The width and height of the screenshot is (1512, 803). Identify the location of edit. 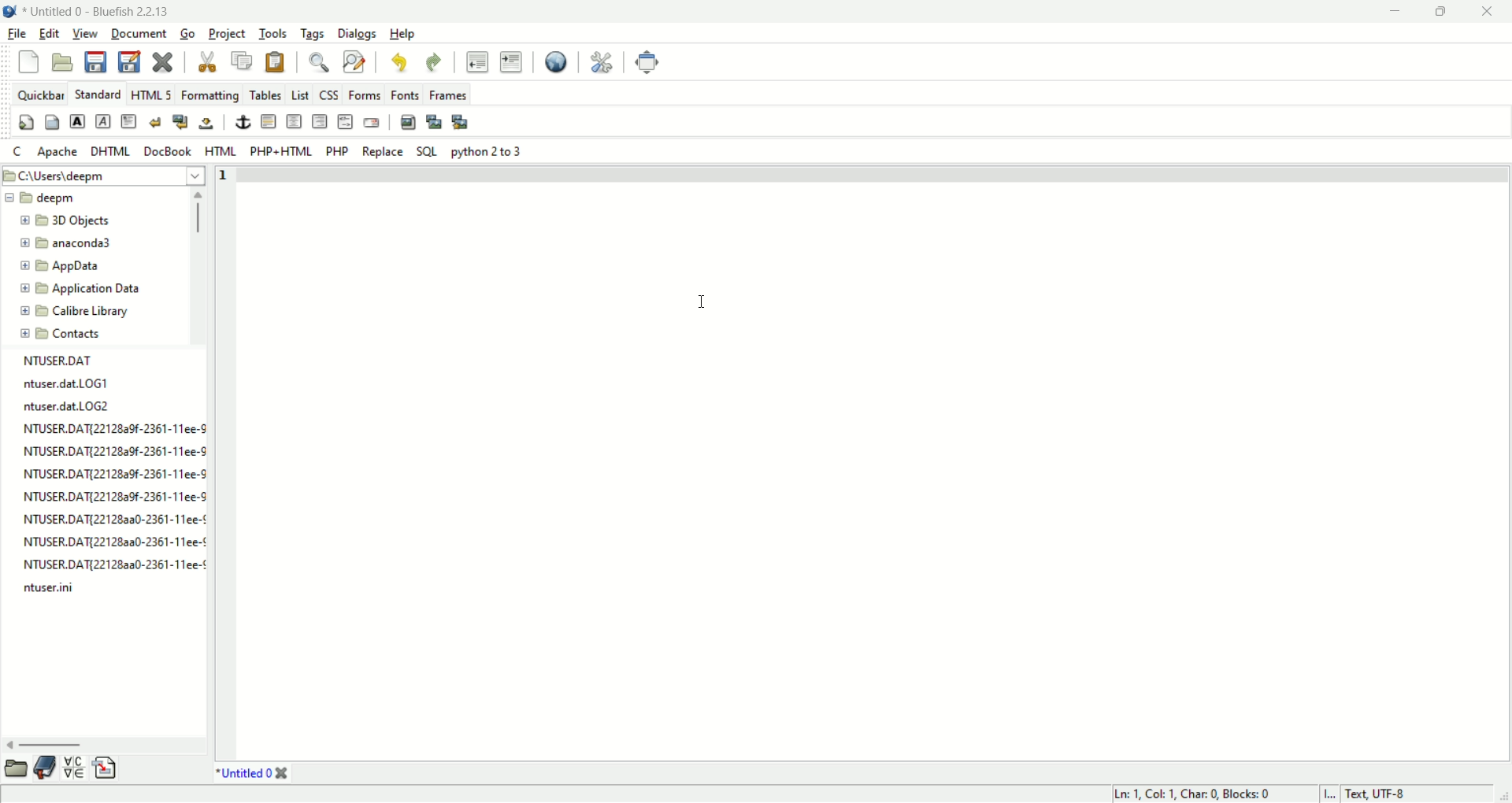
(49, 33).